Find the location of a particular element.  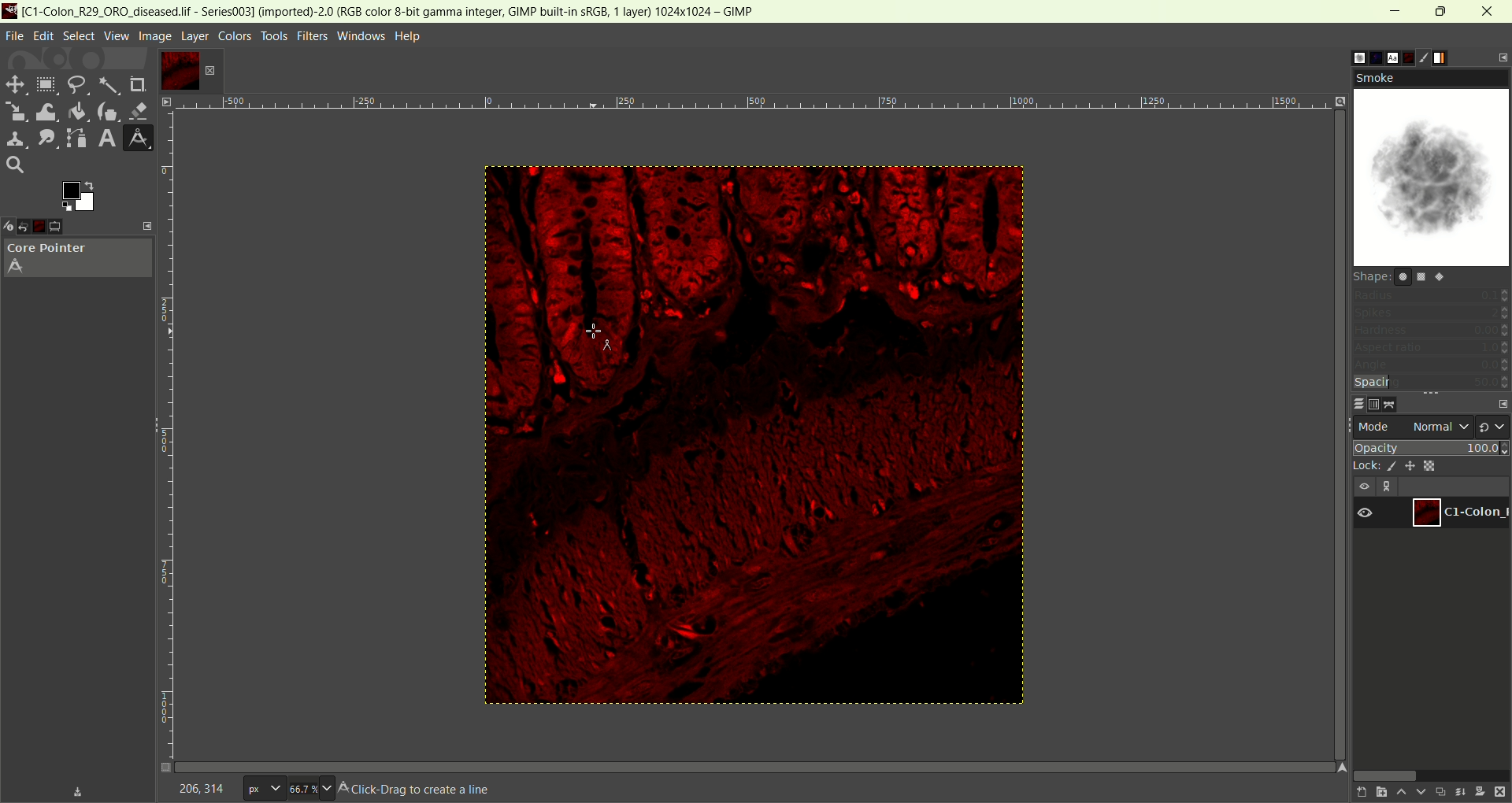

layer1 is located at coordinates (1458, 513).